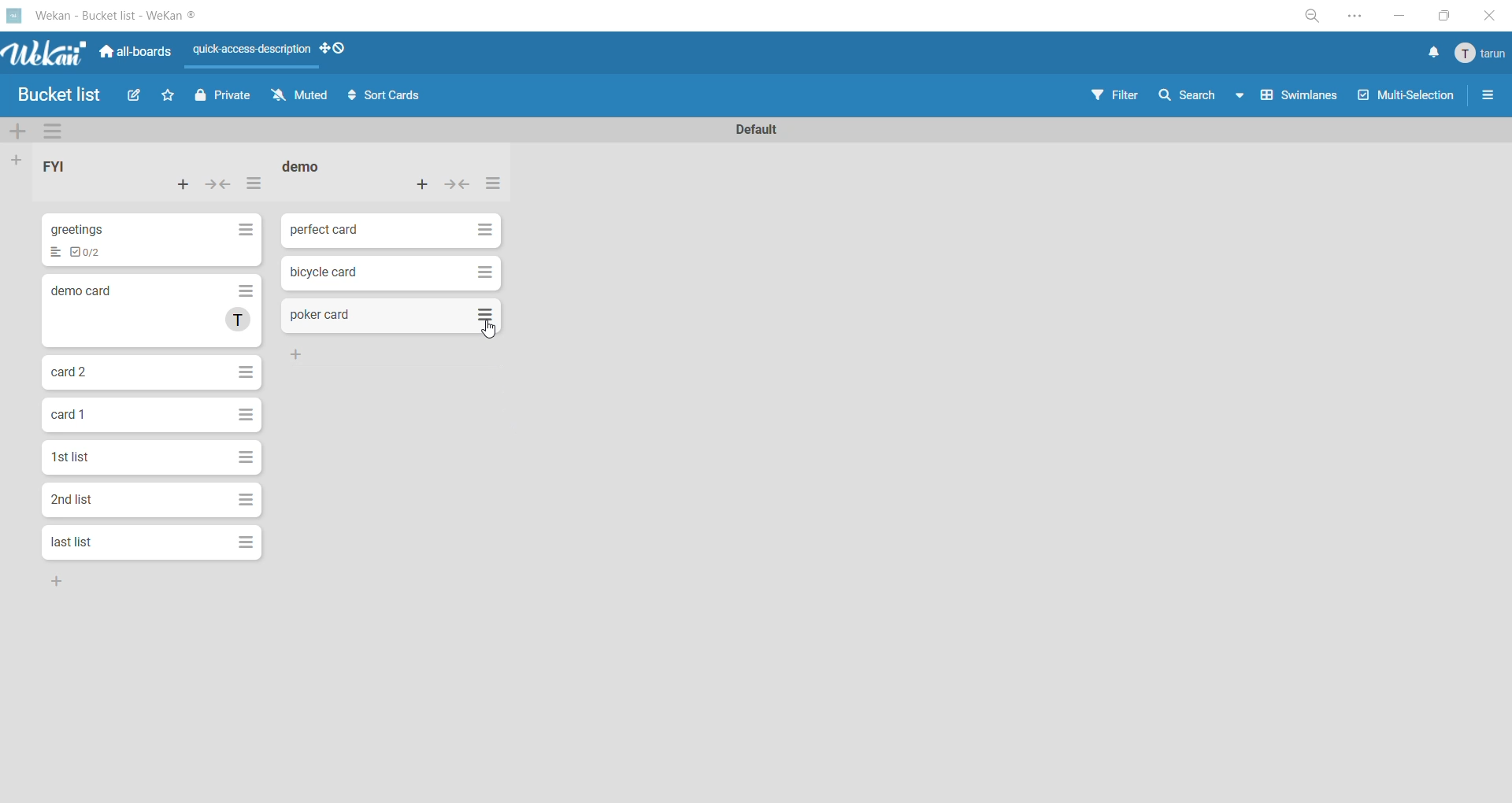 Image resolution: width=1512 pixels, height=803 pixels. What do you see at coordinates (1477, 54) in the screenshot?
I see `menu` at bounding box center [1477, 54].